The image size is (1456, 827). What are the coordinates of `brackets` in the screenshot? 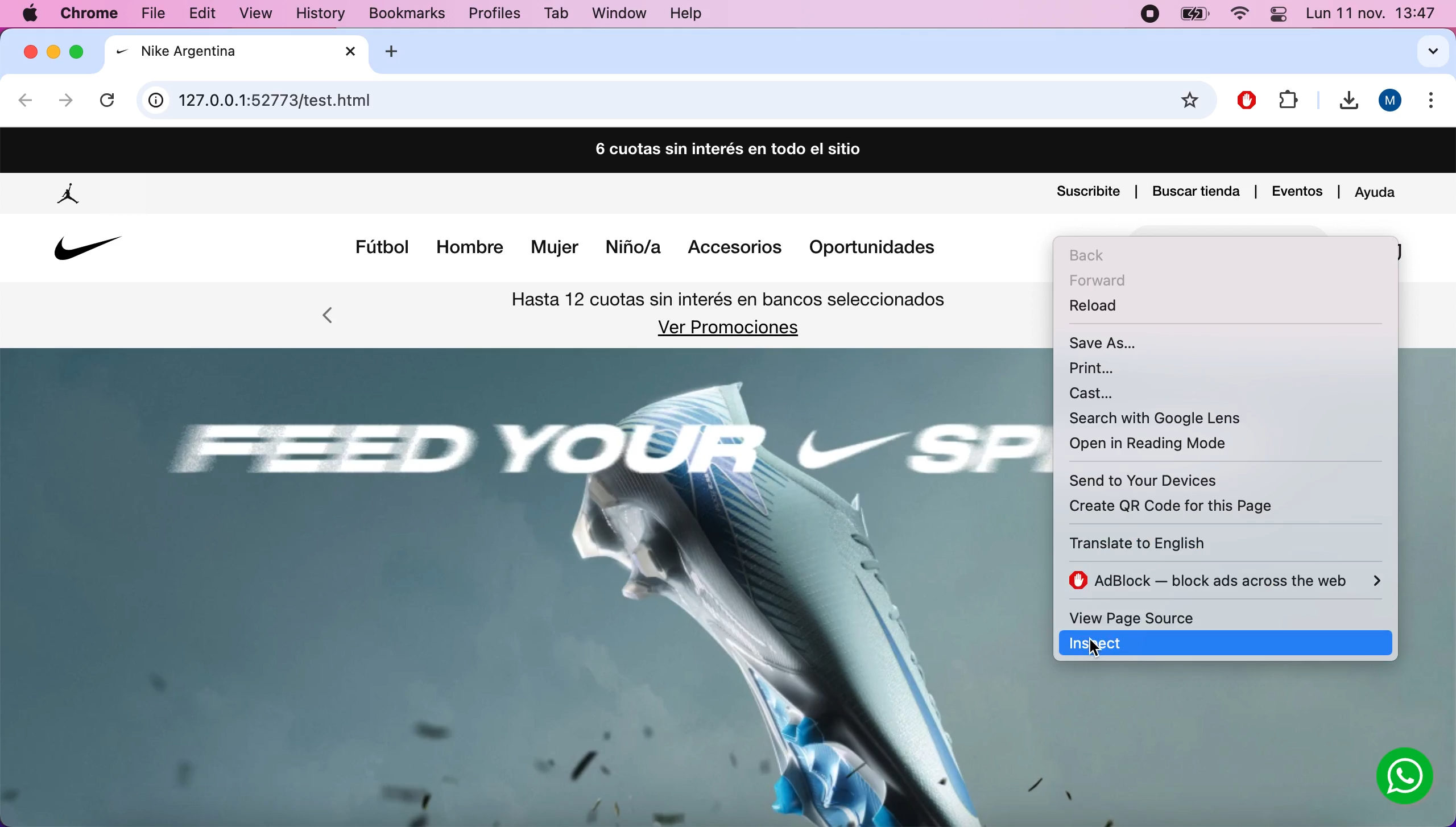 It's located at (93, 15).